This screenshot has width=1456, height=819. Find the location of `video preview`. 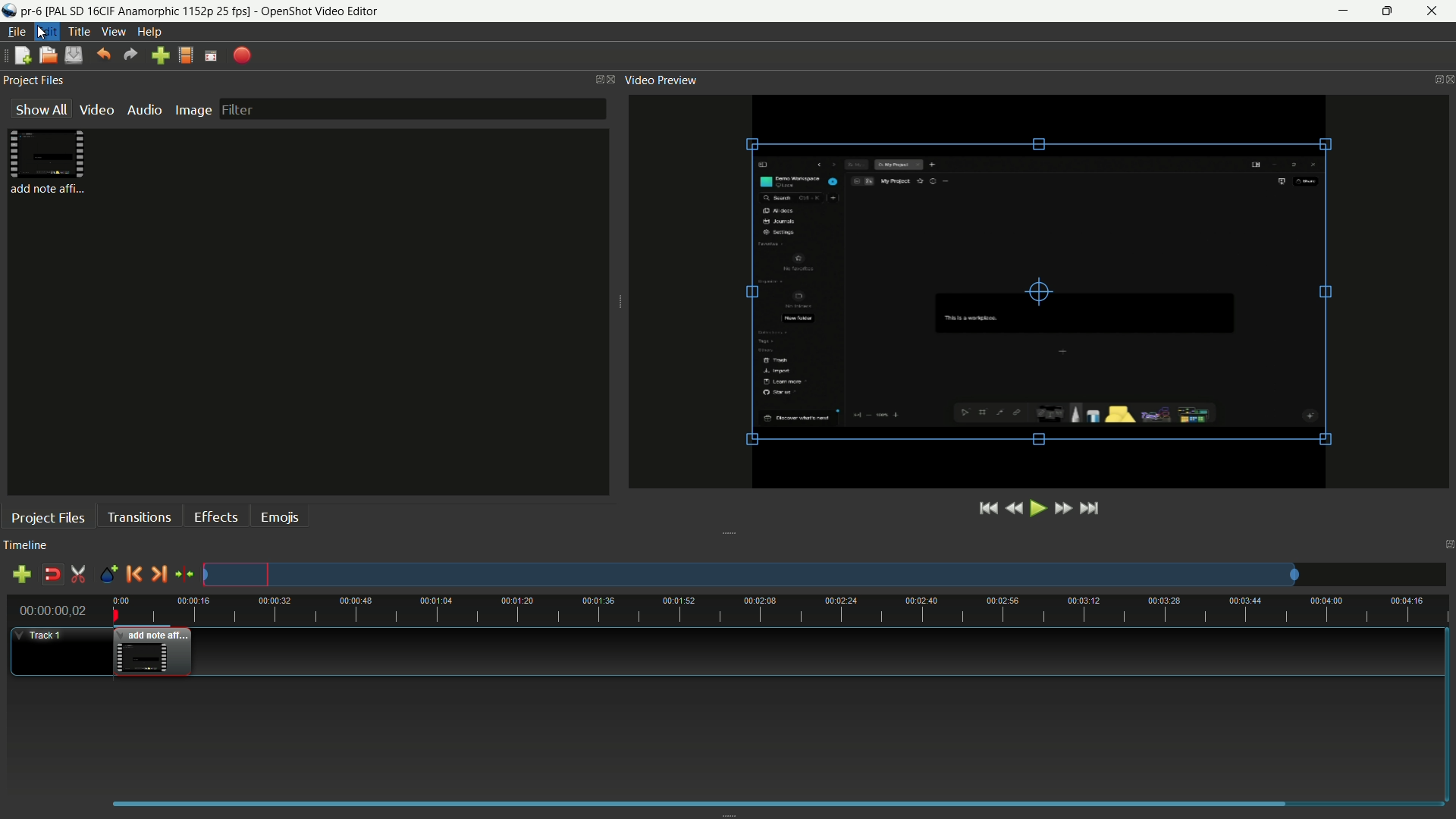

video preview is located at coordinates (661, 80).